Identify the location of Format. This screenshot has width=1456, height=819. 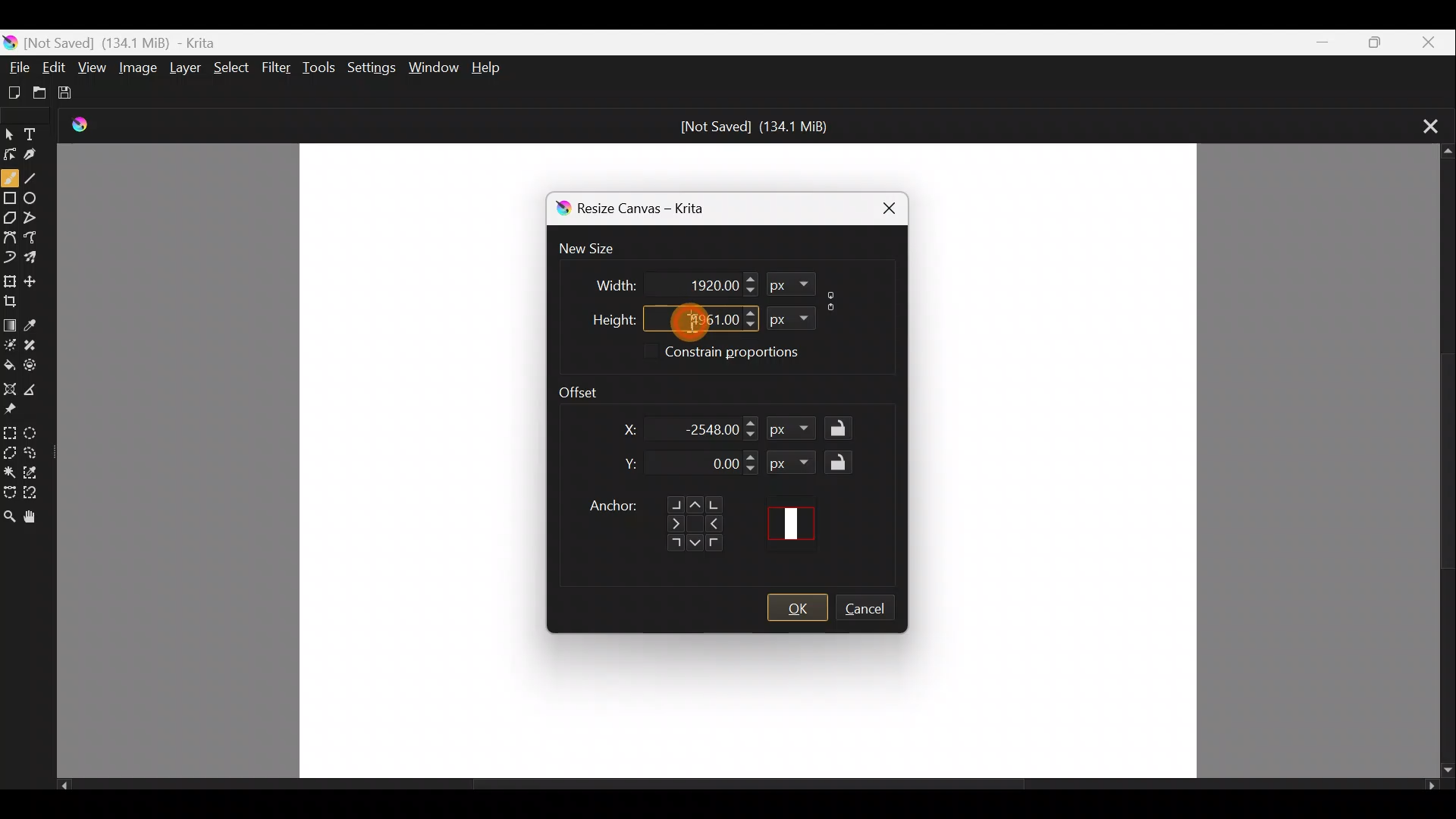
(795, 431).